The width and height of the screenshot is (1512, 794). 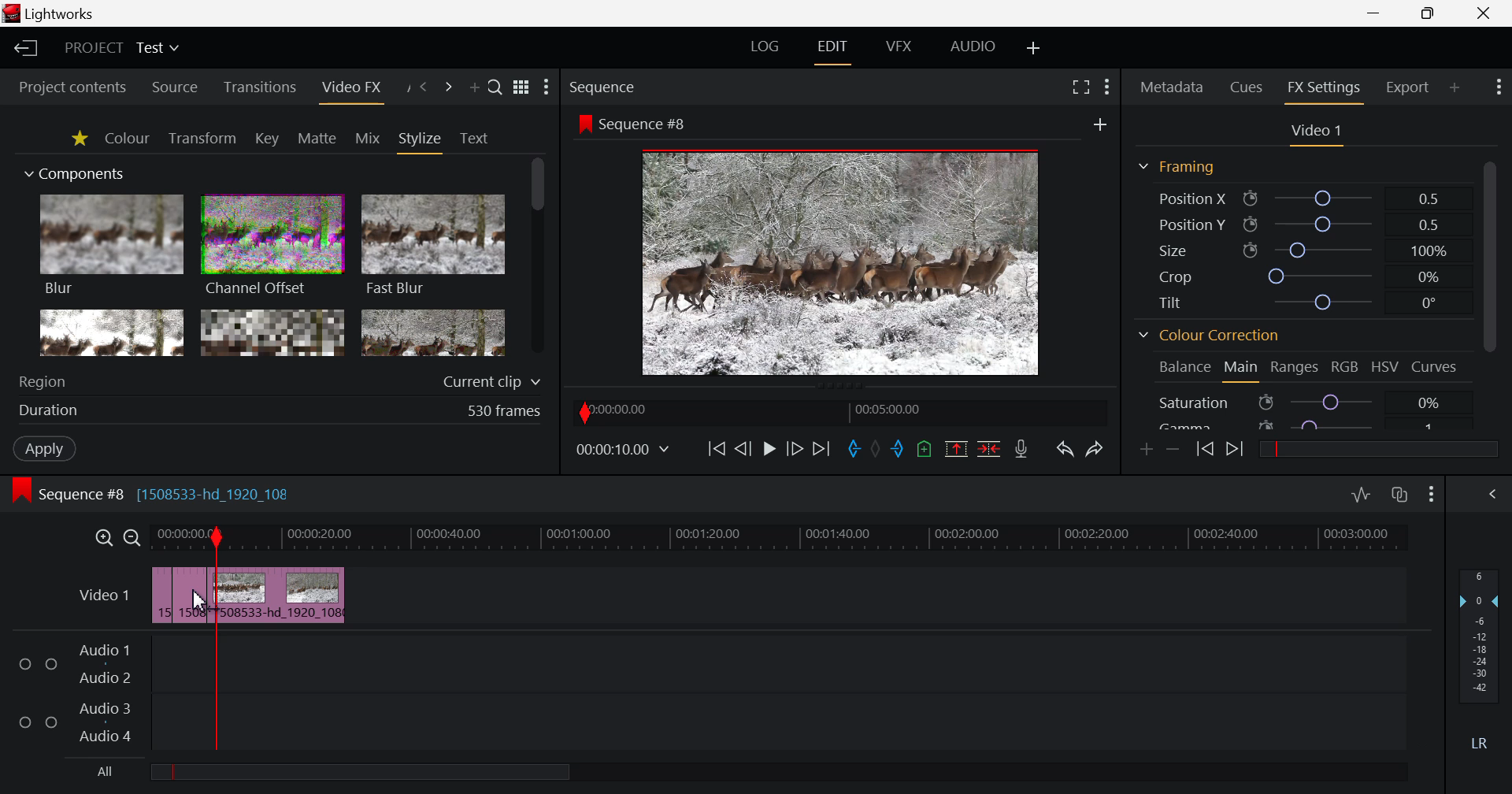 I want to click on Transitions, so click(x=259, y=88).